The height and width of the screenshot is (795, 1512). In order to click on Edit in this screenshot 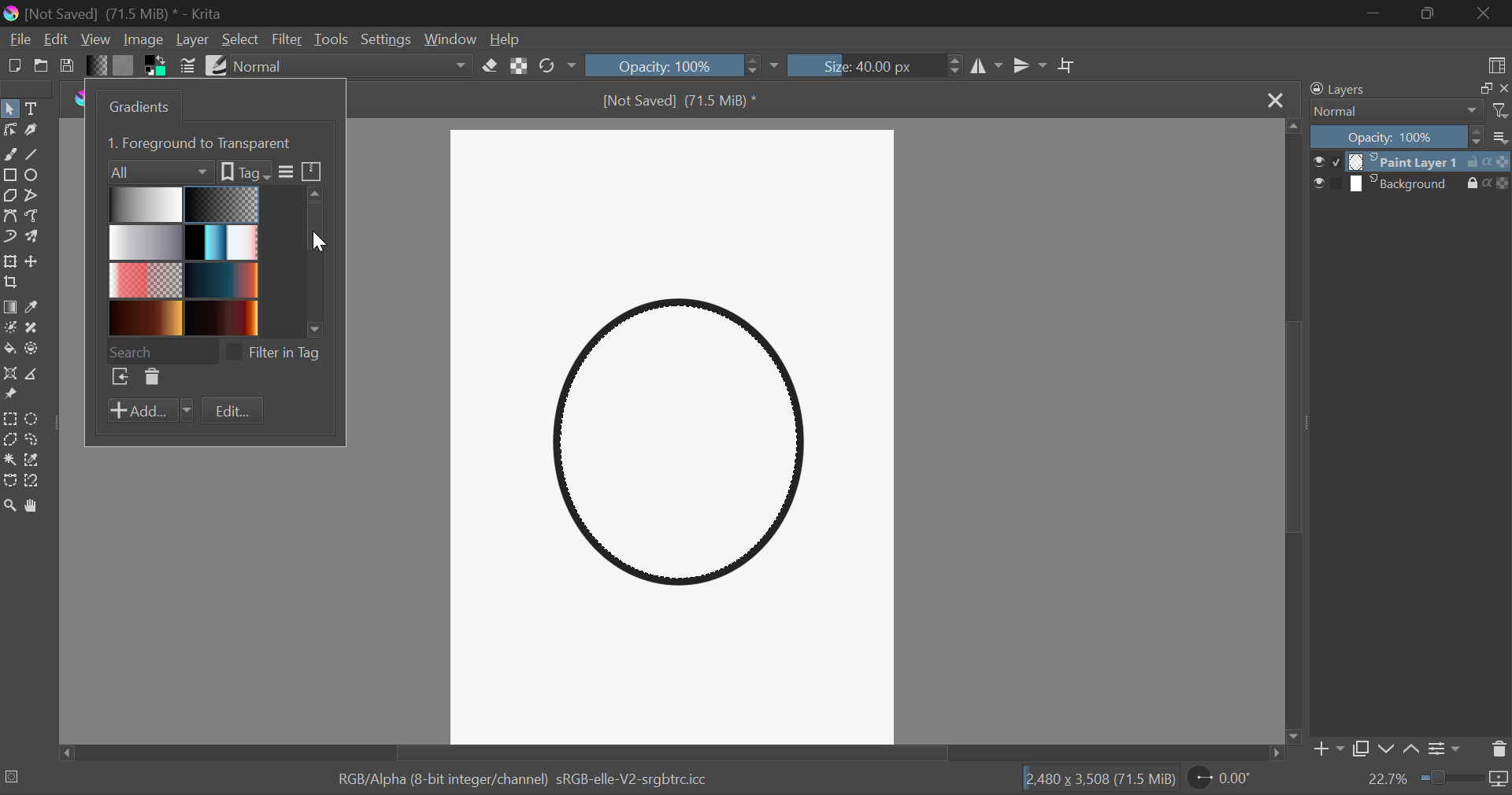, I will do `click(55, 38)`.